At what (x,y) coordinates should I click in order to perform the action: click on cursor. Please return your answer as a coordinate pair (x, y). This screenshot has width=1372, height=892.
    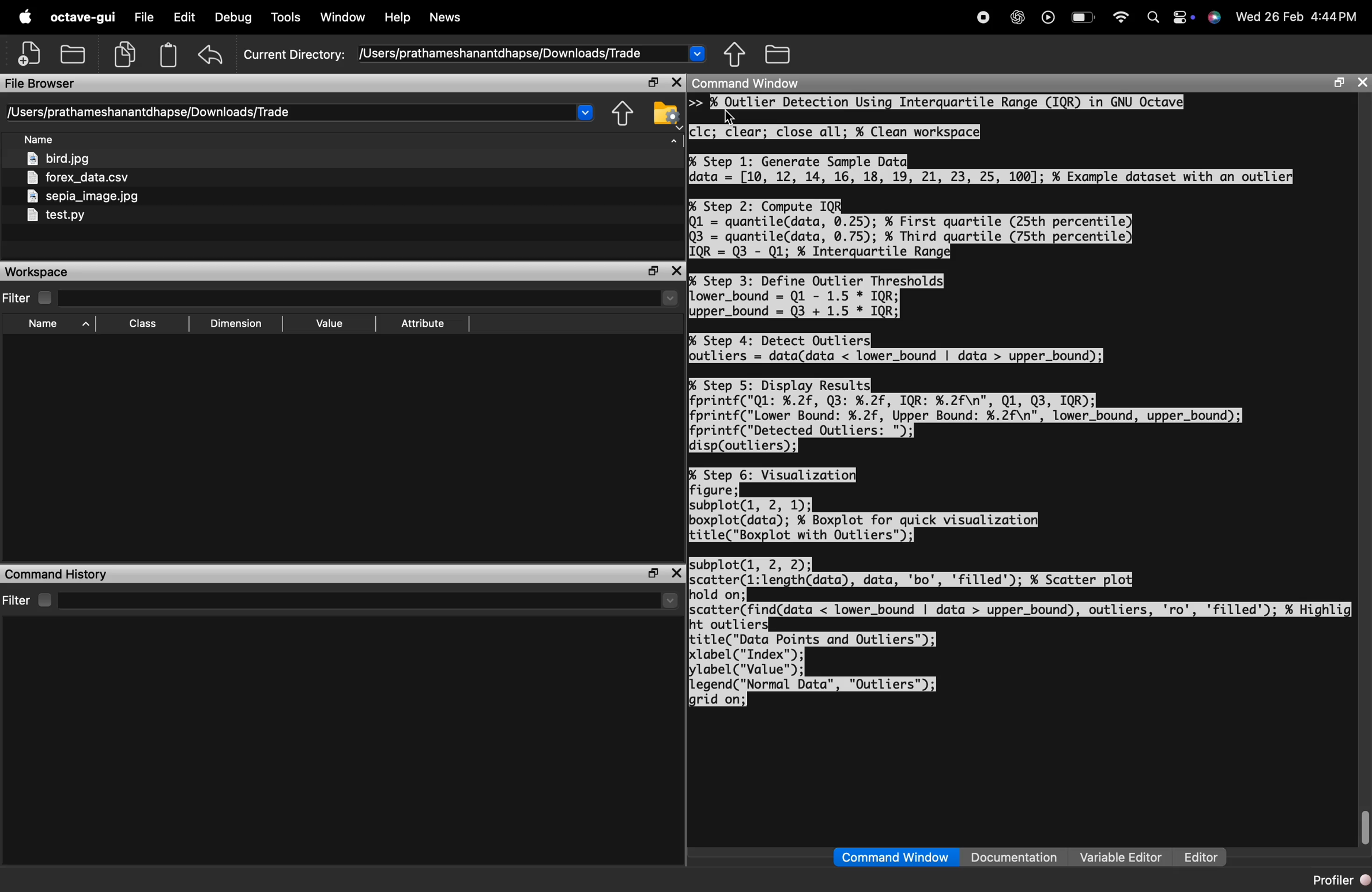
    Looking at the image, I should click on (729, 118).